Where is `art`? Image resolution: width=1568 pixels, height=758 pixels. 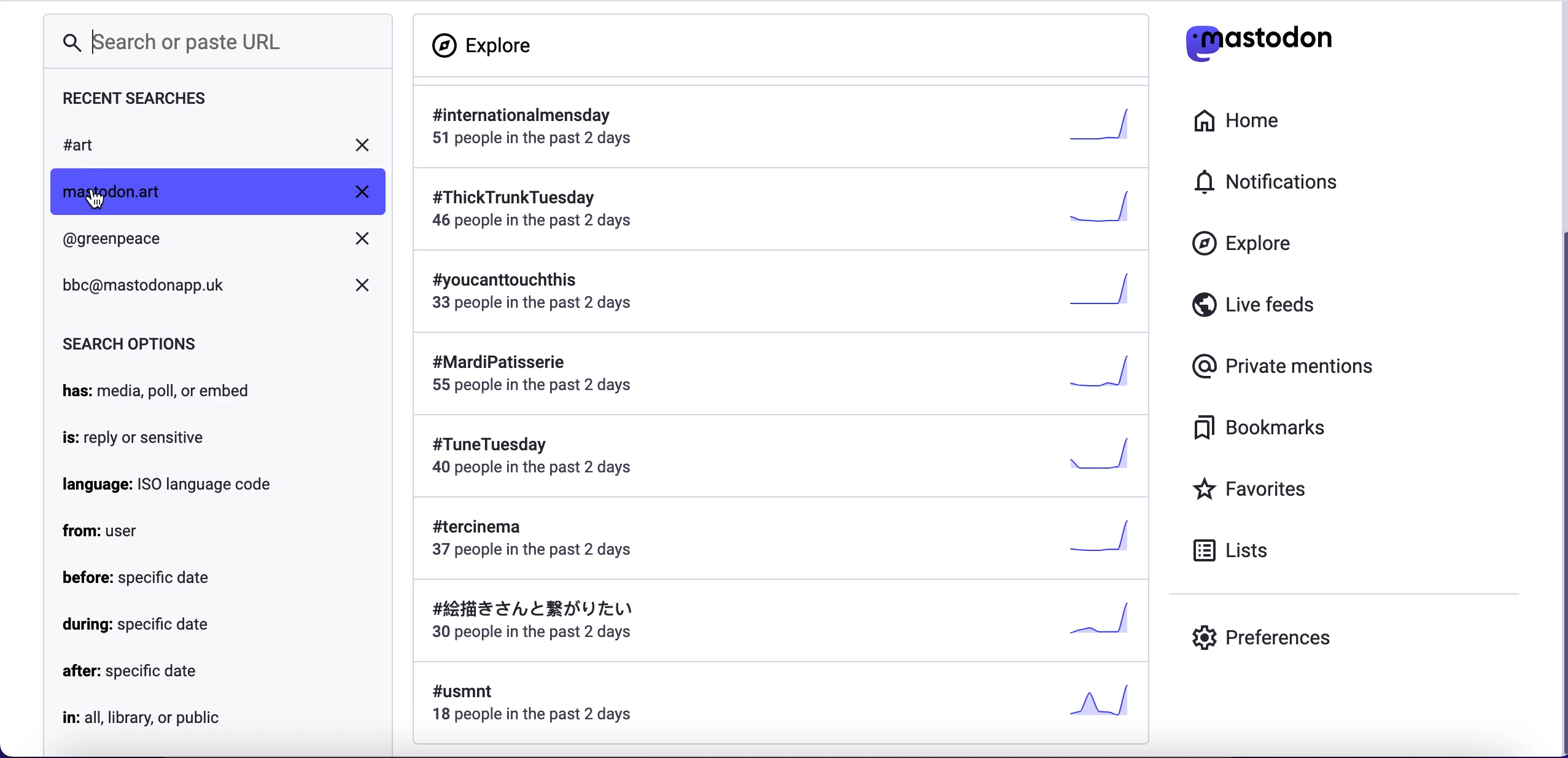
art is located at coordinates (220, 144).